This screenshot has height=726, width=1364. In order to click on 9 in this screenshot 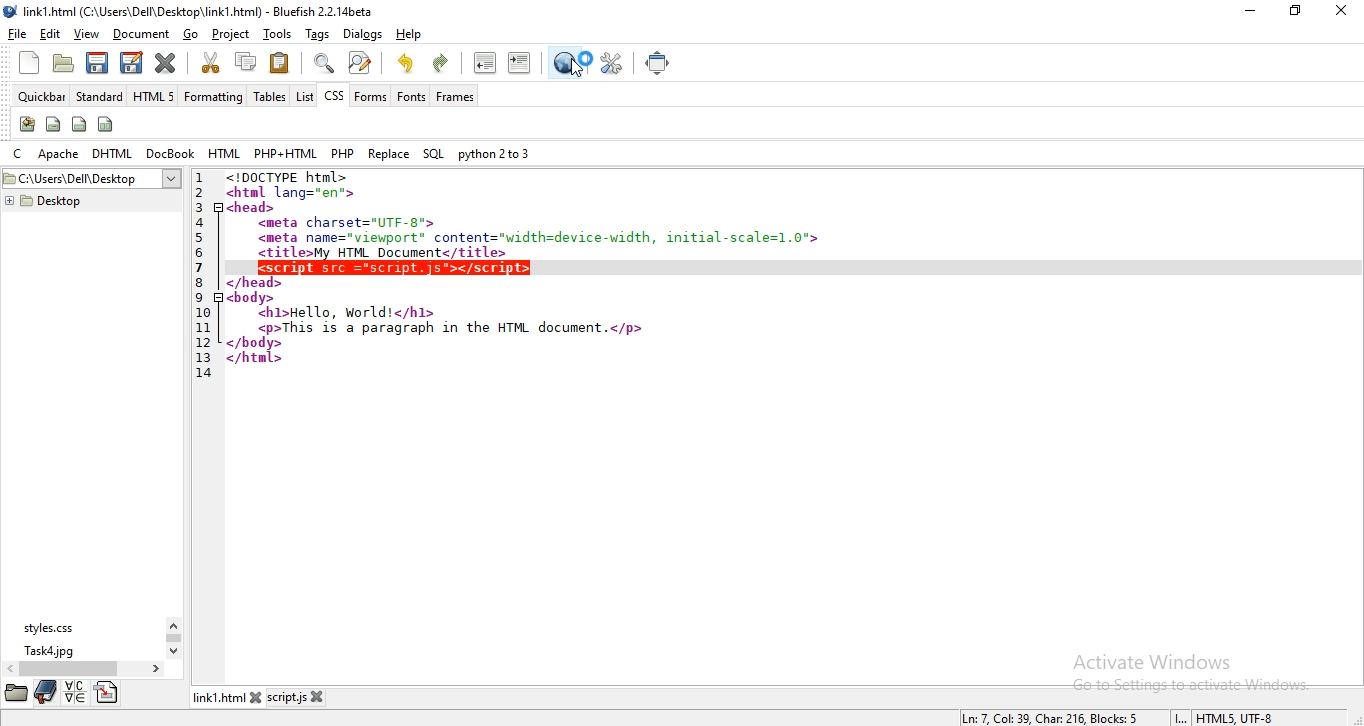, I will do `click(199, 298)`.